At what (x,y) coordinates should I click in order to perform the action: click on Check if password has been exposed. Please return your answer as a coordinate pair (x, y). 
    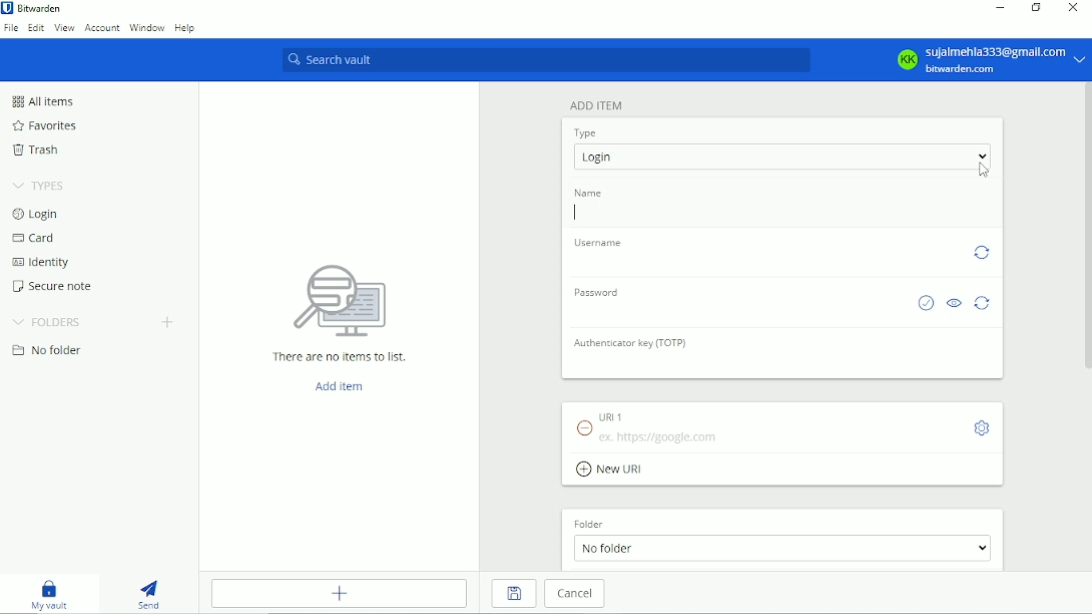
    Looking at the image, I should click on (924, 303).